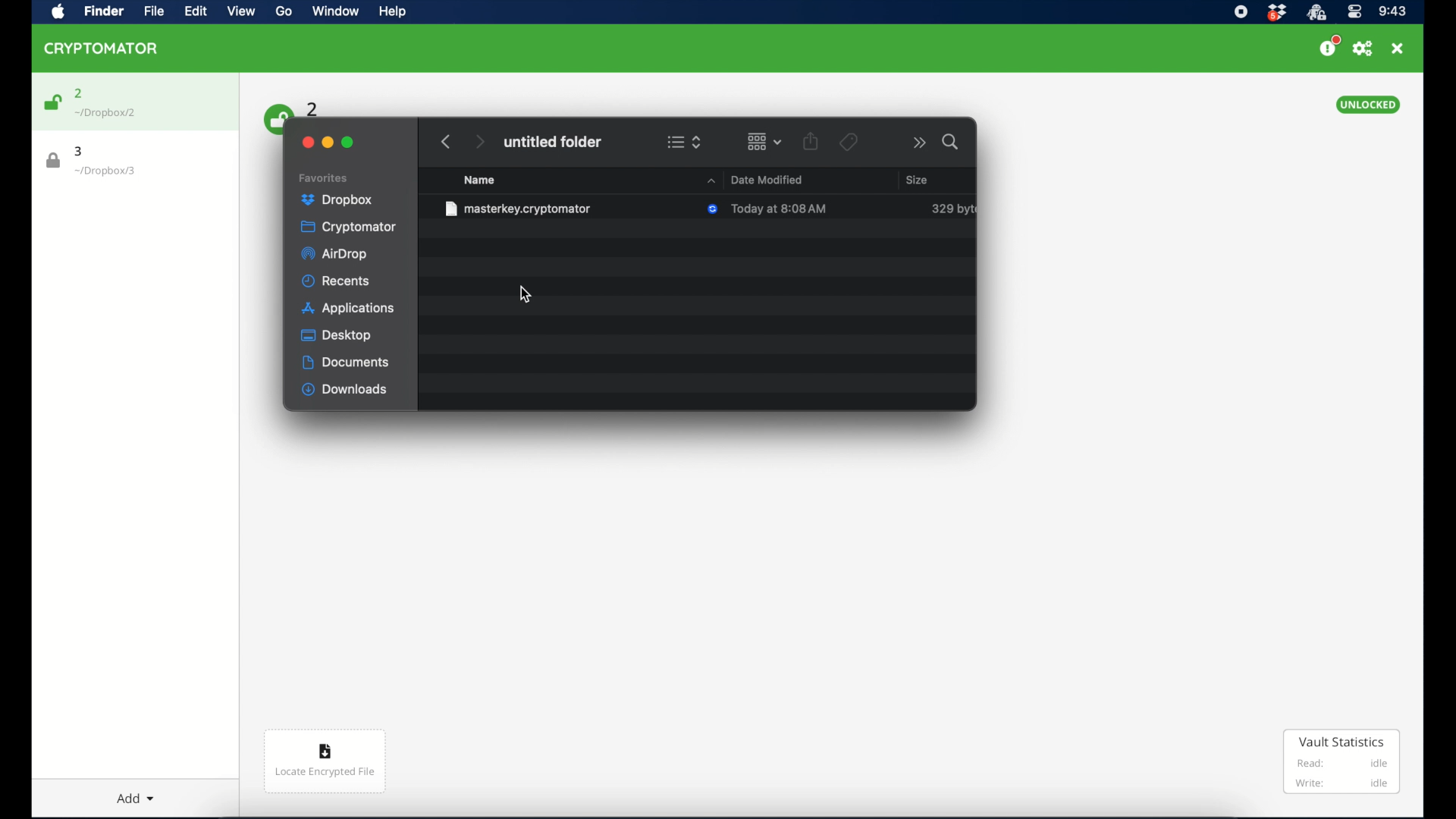  I want to click on close, so click(1398, 49).